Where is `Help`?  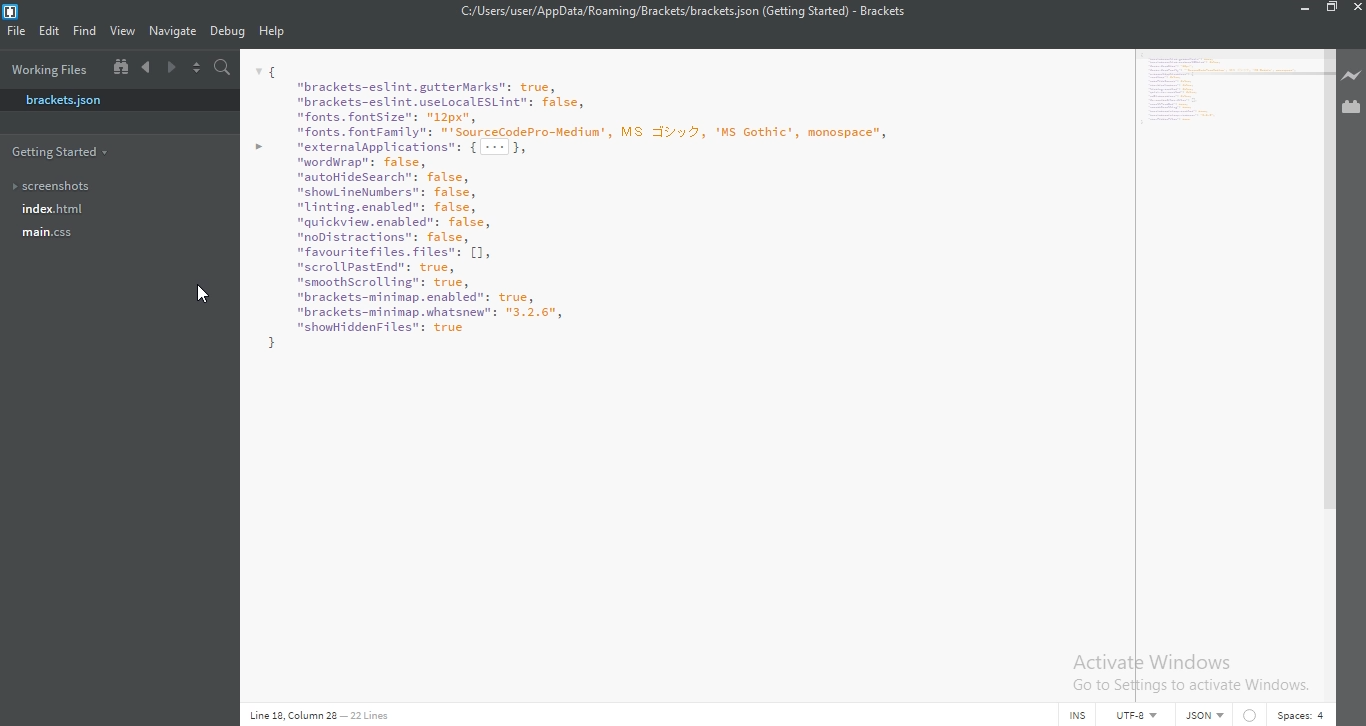 Help is located at coordinates (274, 33).